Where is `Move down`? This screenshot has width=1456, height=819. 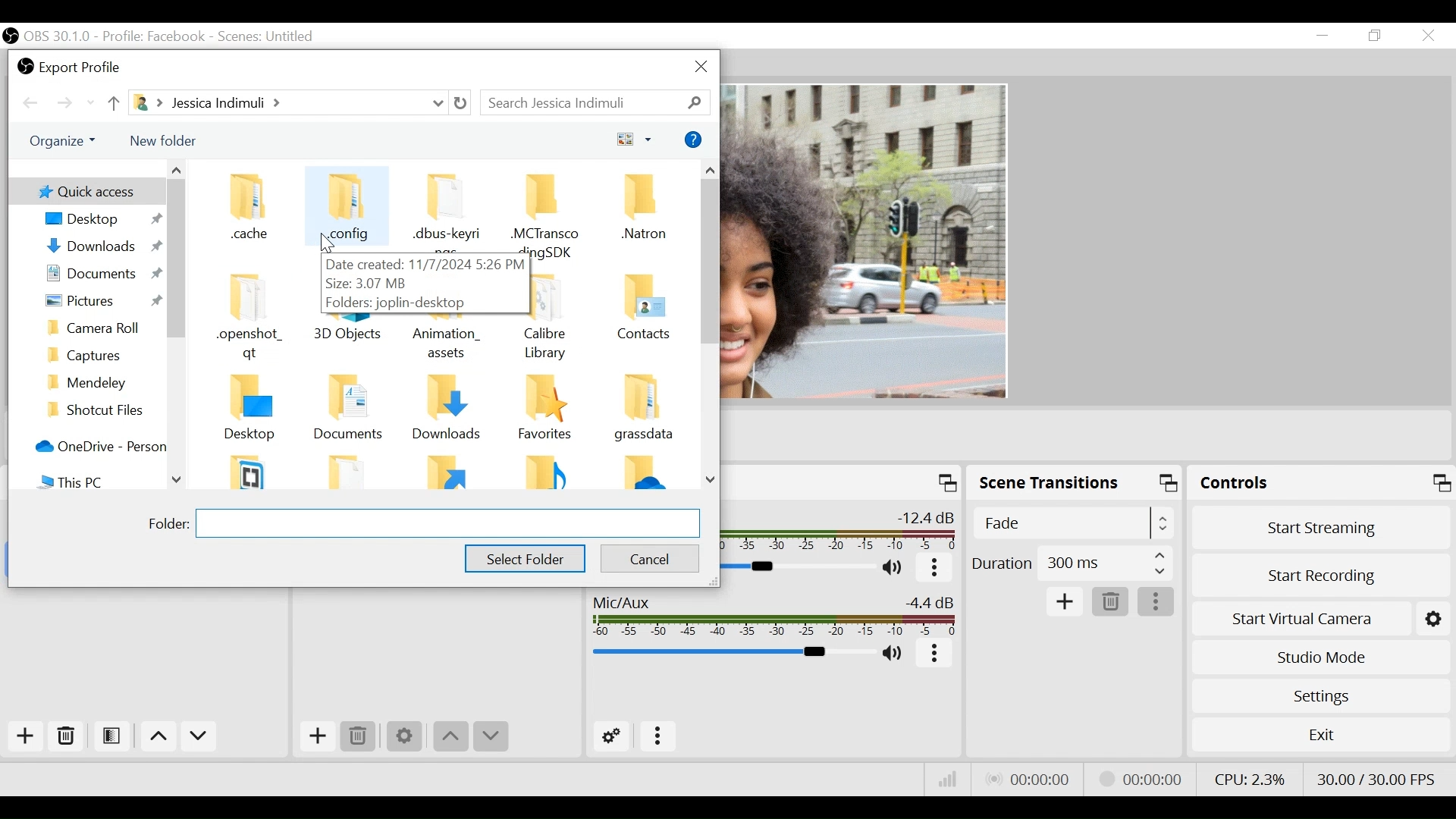 Move down is located at coordinates (201, 736).